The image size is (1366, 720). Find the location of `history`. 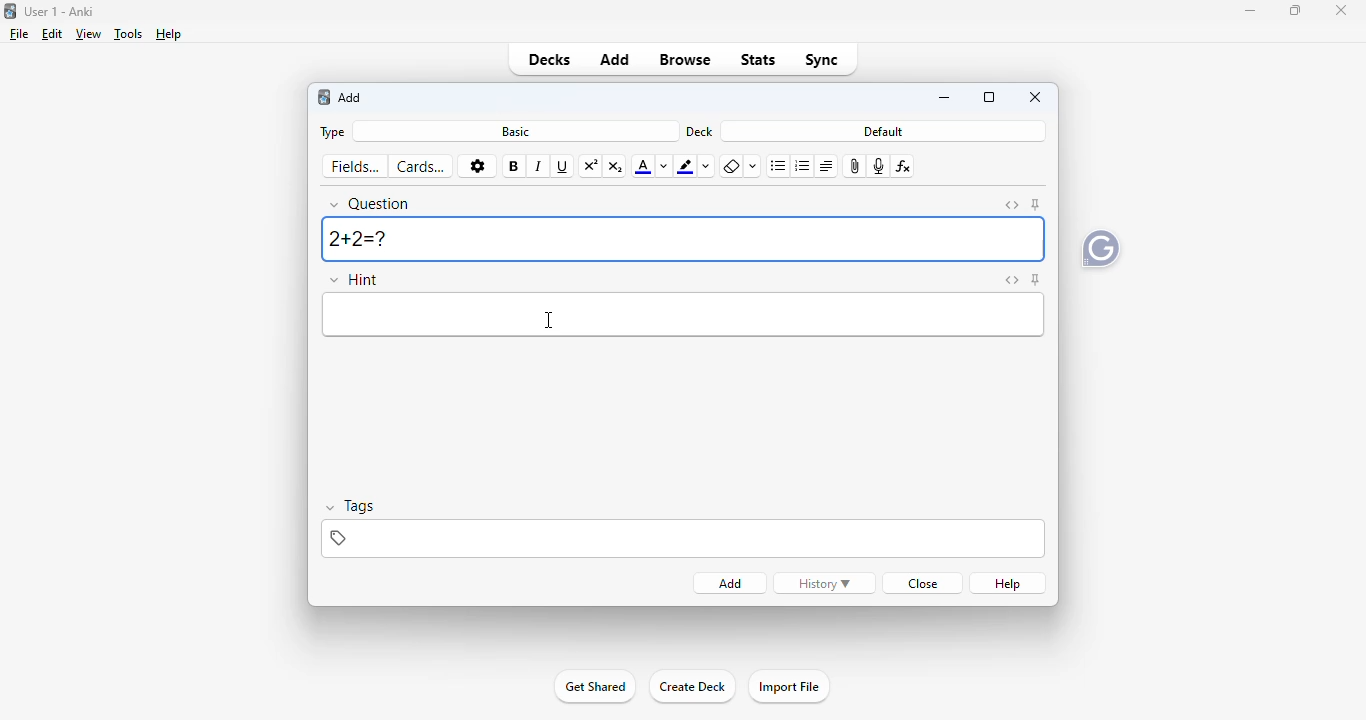

history is located at coordinates (824, 584).